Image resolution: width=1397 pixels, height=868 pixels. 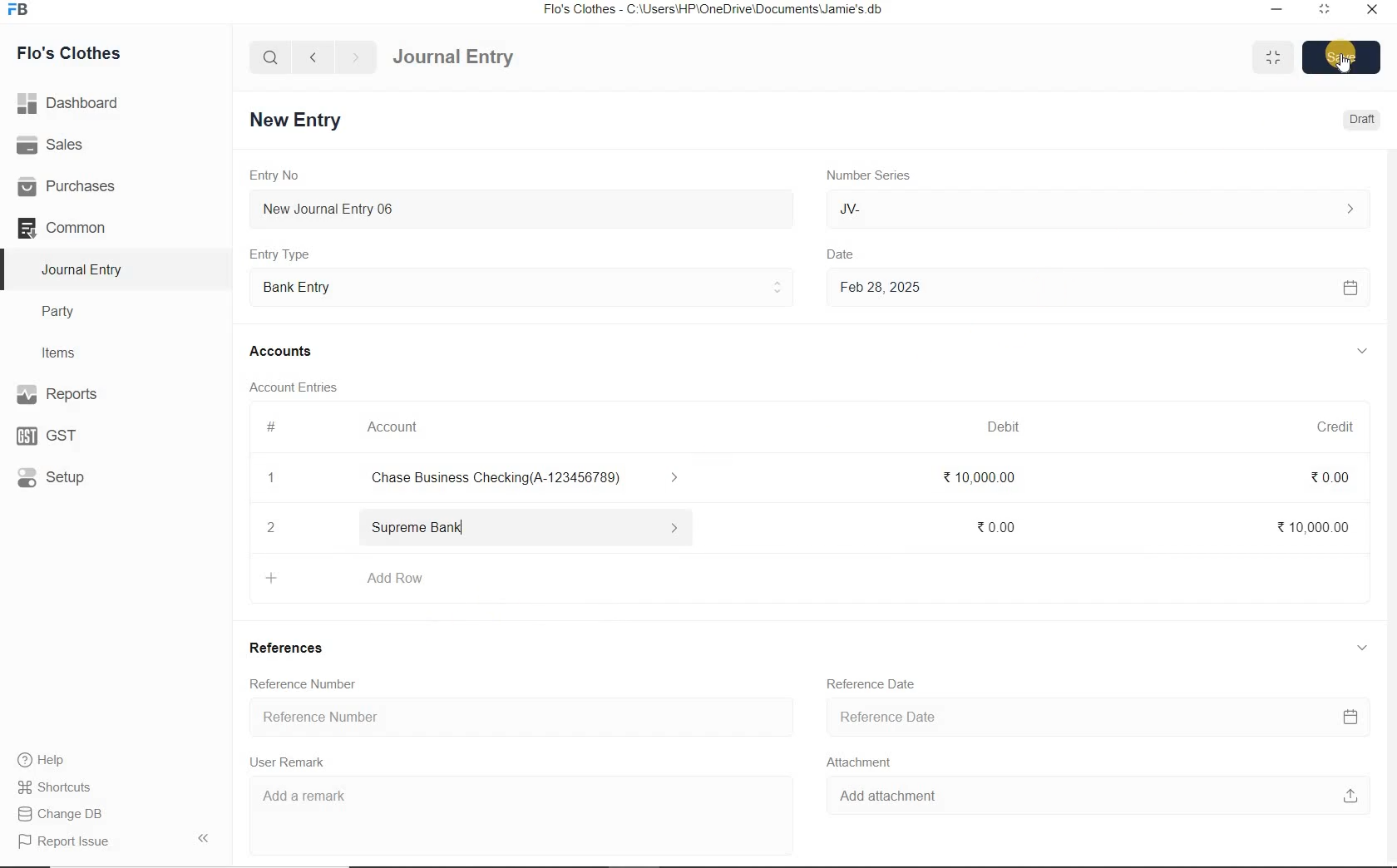 I want to click on Entry Type, so click(x=521, y=285).